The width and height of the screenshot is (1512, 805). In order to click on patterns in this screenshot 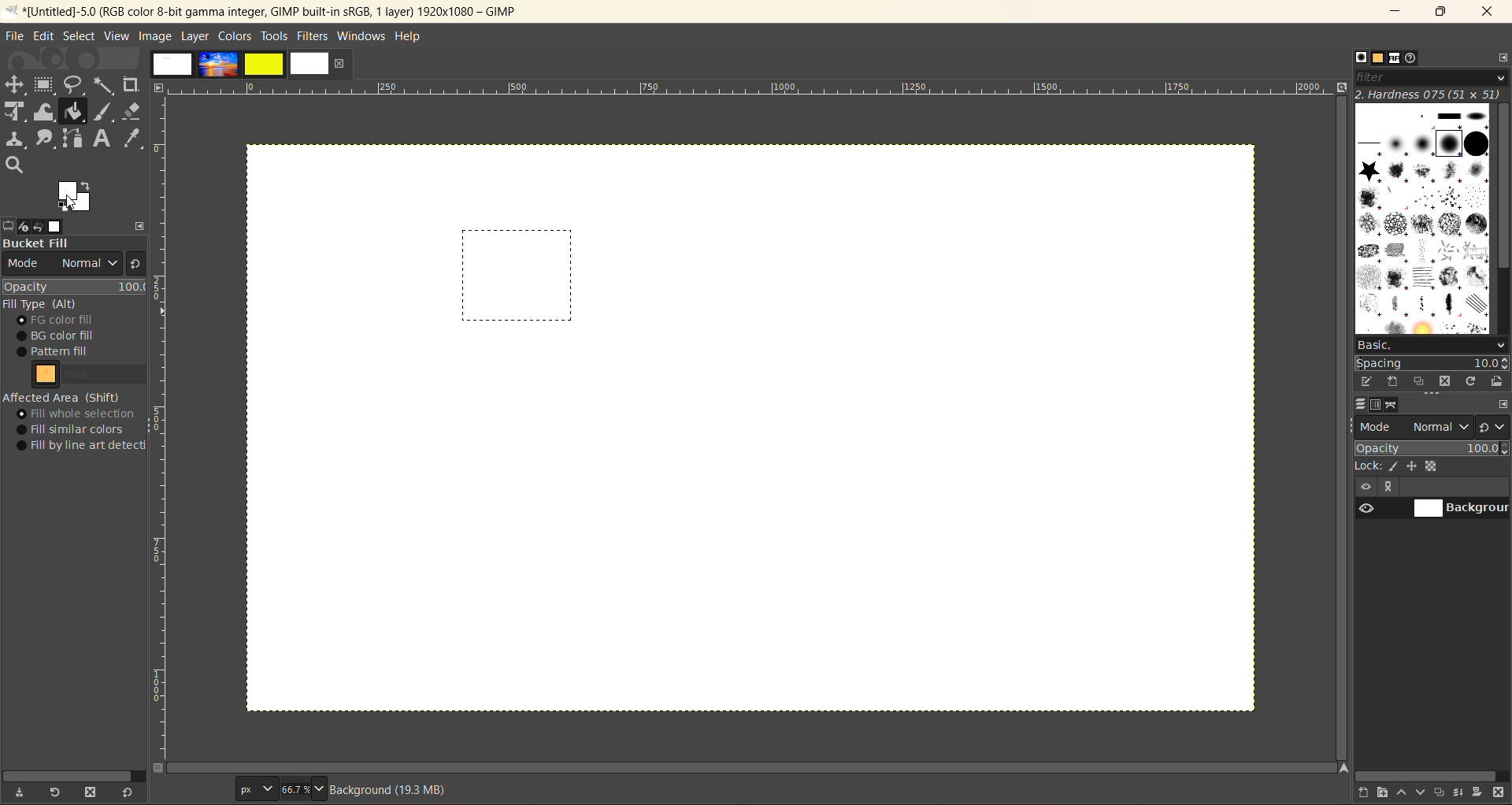, I will do `click(1378, 60)`.